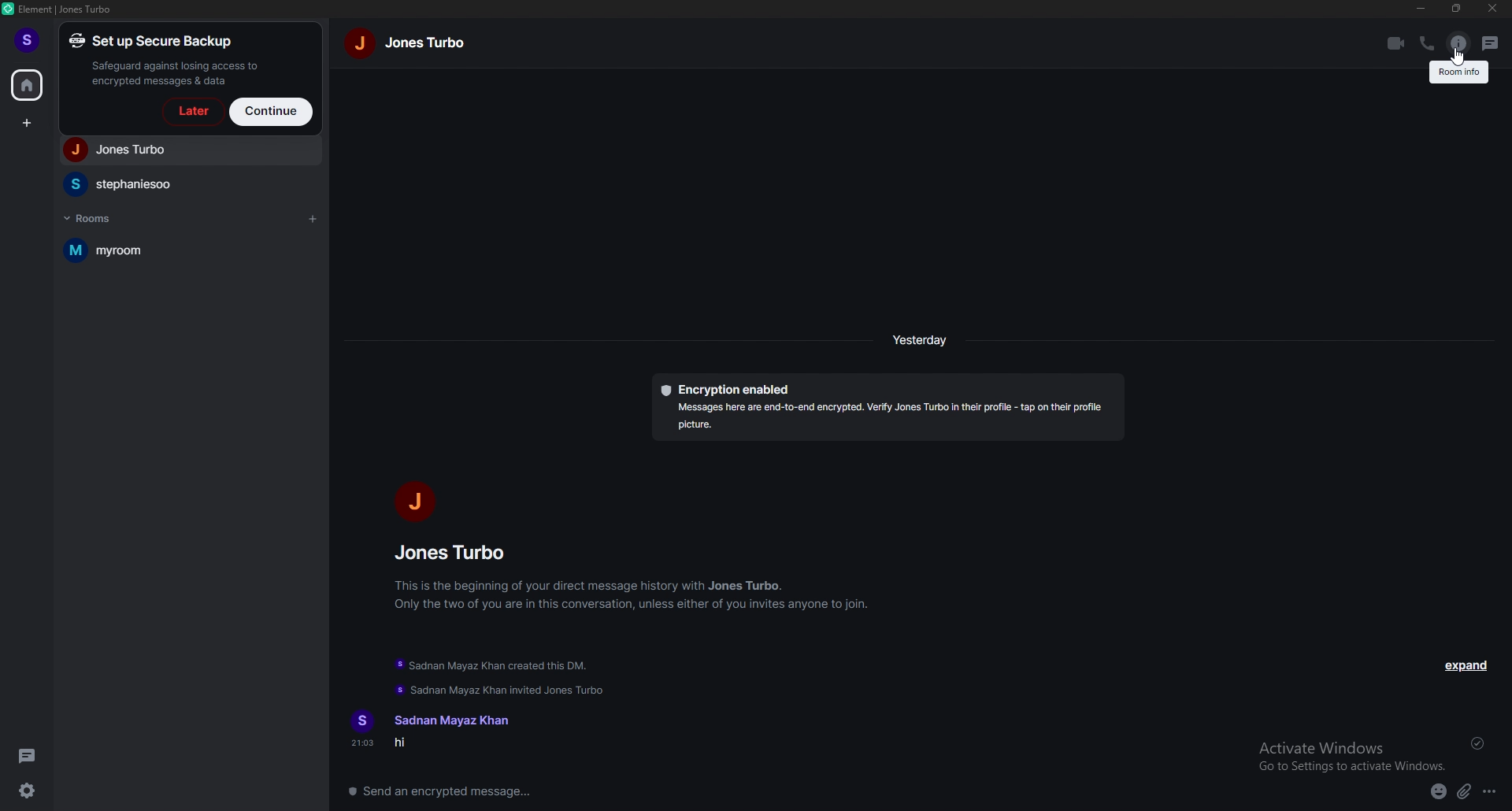  Describe the element at coordinates (29, 791) in the screenshot. I see `settings` at that location.